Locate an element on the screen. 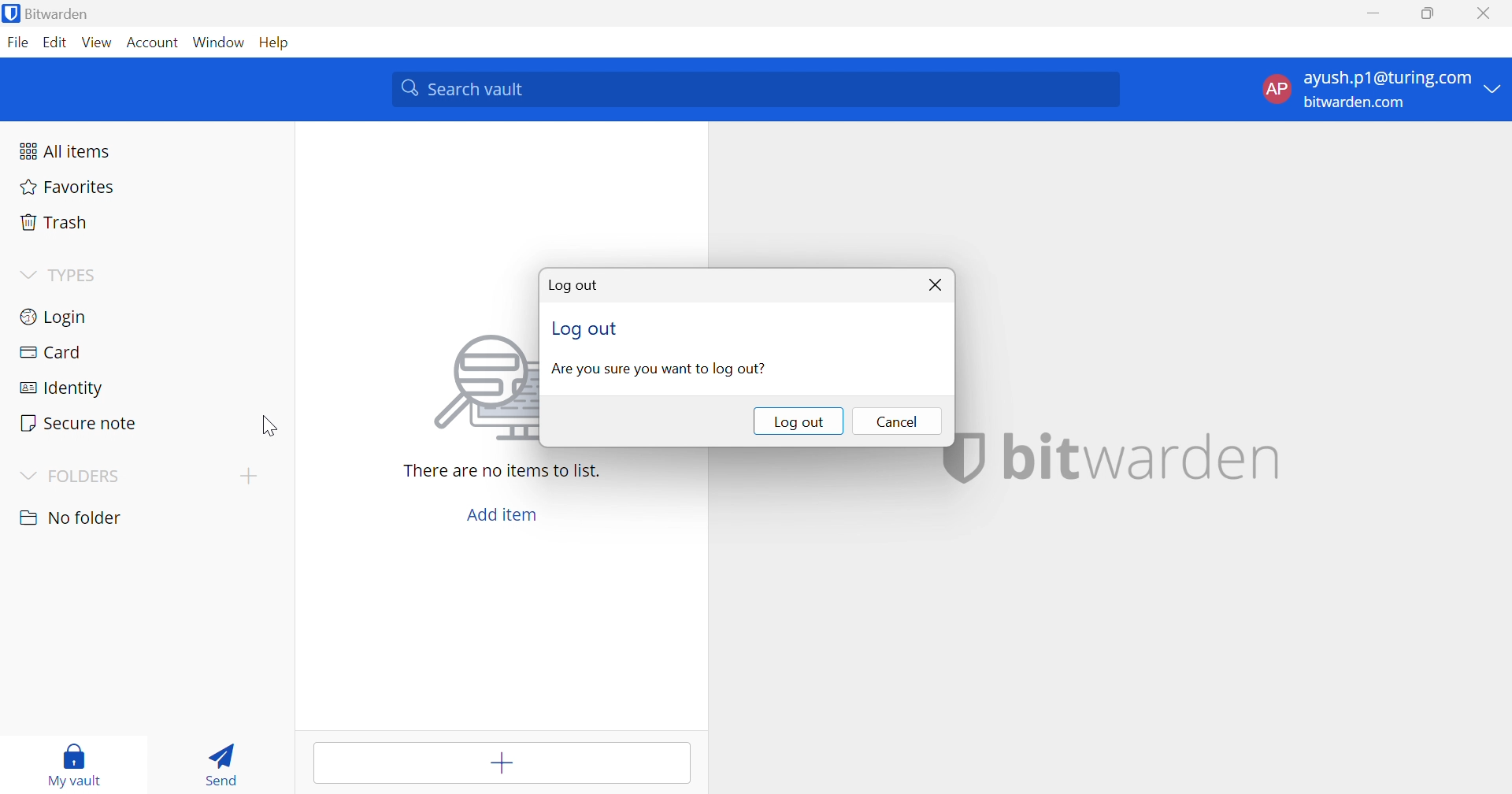  Trash is located at coordinates (51, 222).